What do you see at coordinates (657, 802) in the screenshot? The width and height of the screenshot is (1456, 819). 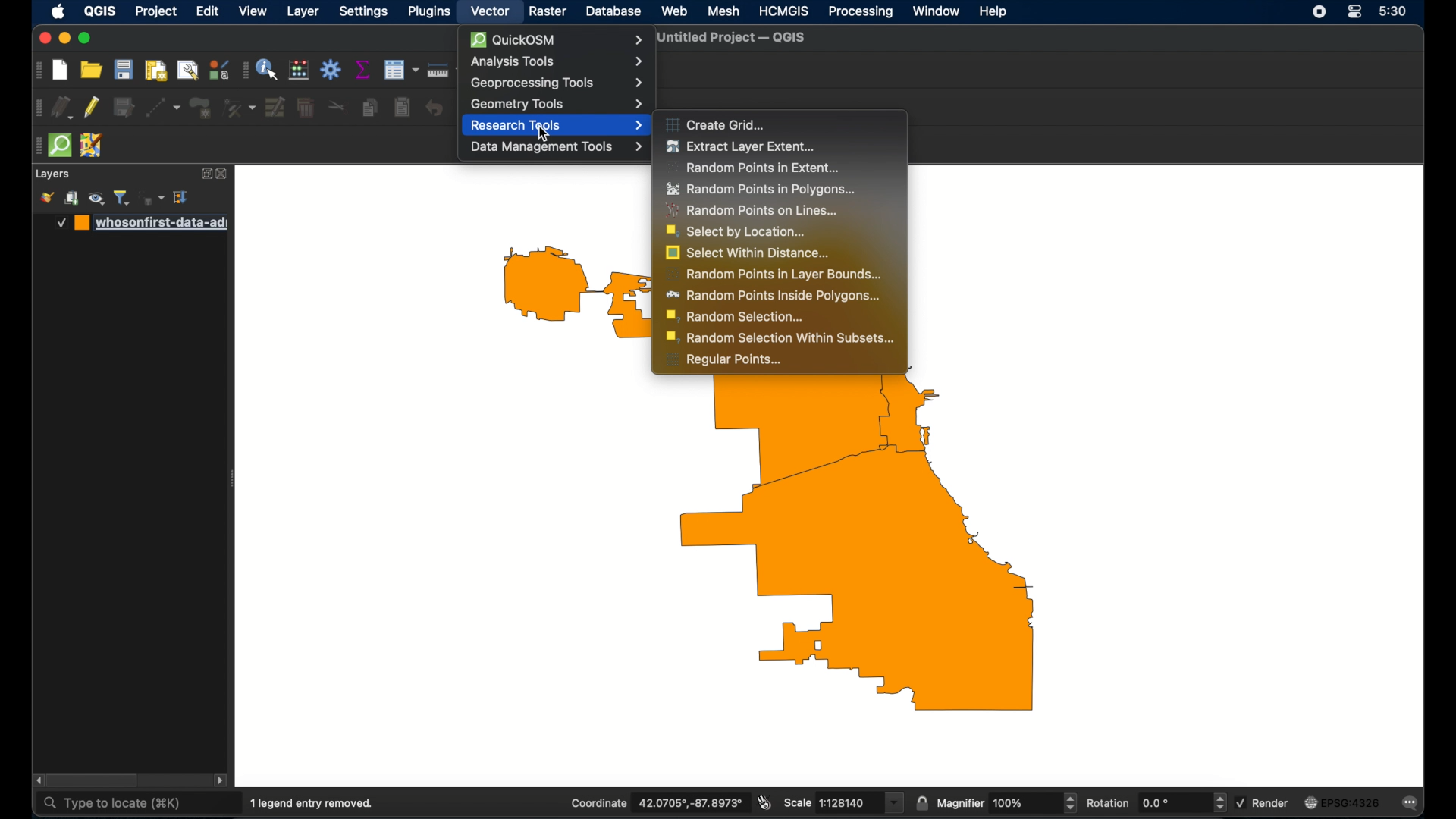 I see `coordinate` at bounding box center [657, 802].